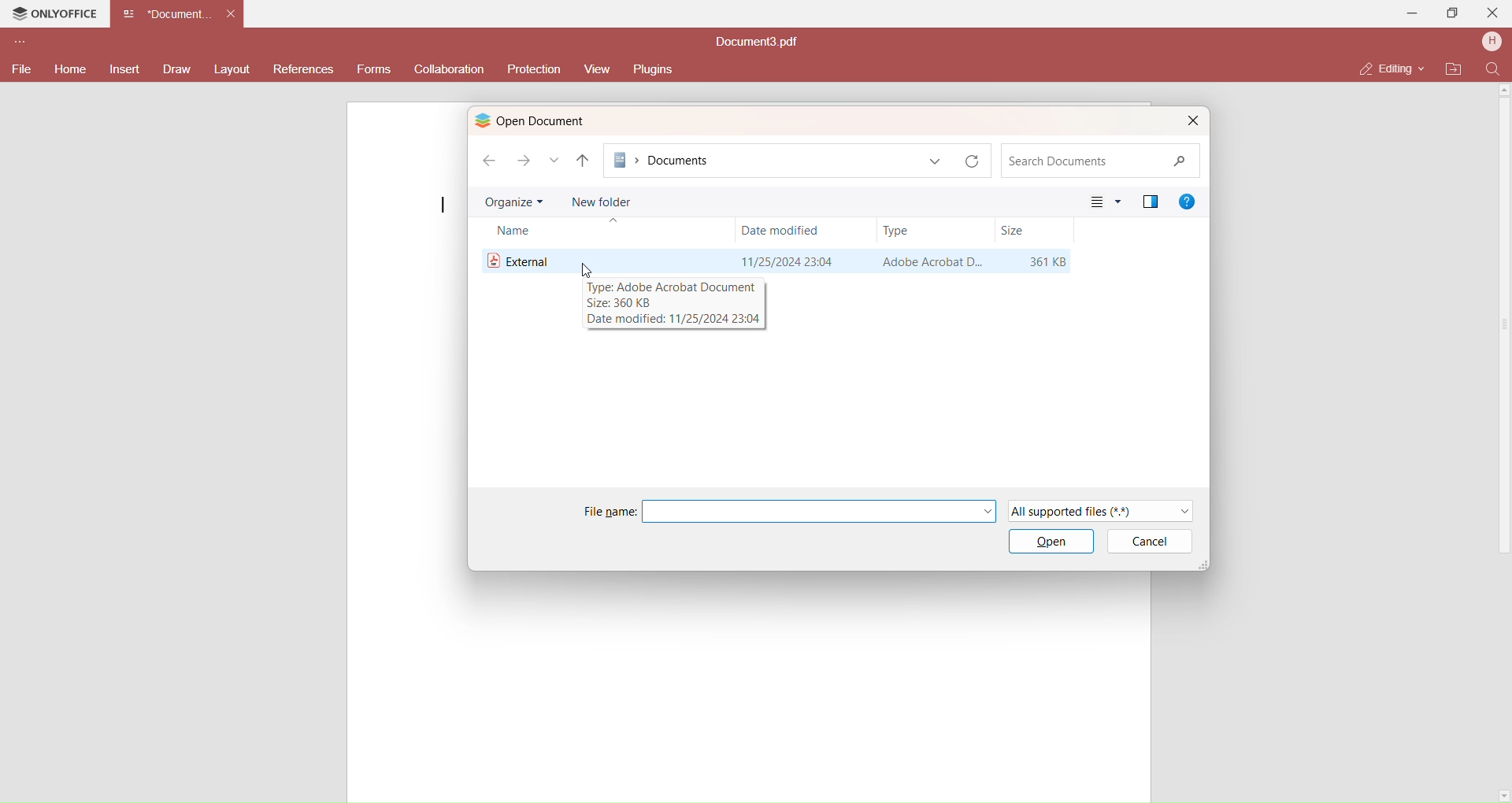 The width and height of the screenshot is (1512, 803). I want to click on Close Tab, so click(231, 13).